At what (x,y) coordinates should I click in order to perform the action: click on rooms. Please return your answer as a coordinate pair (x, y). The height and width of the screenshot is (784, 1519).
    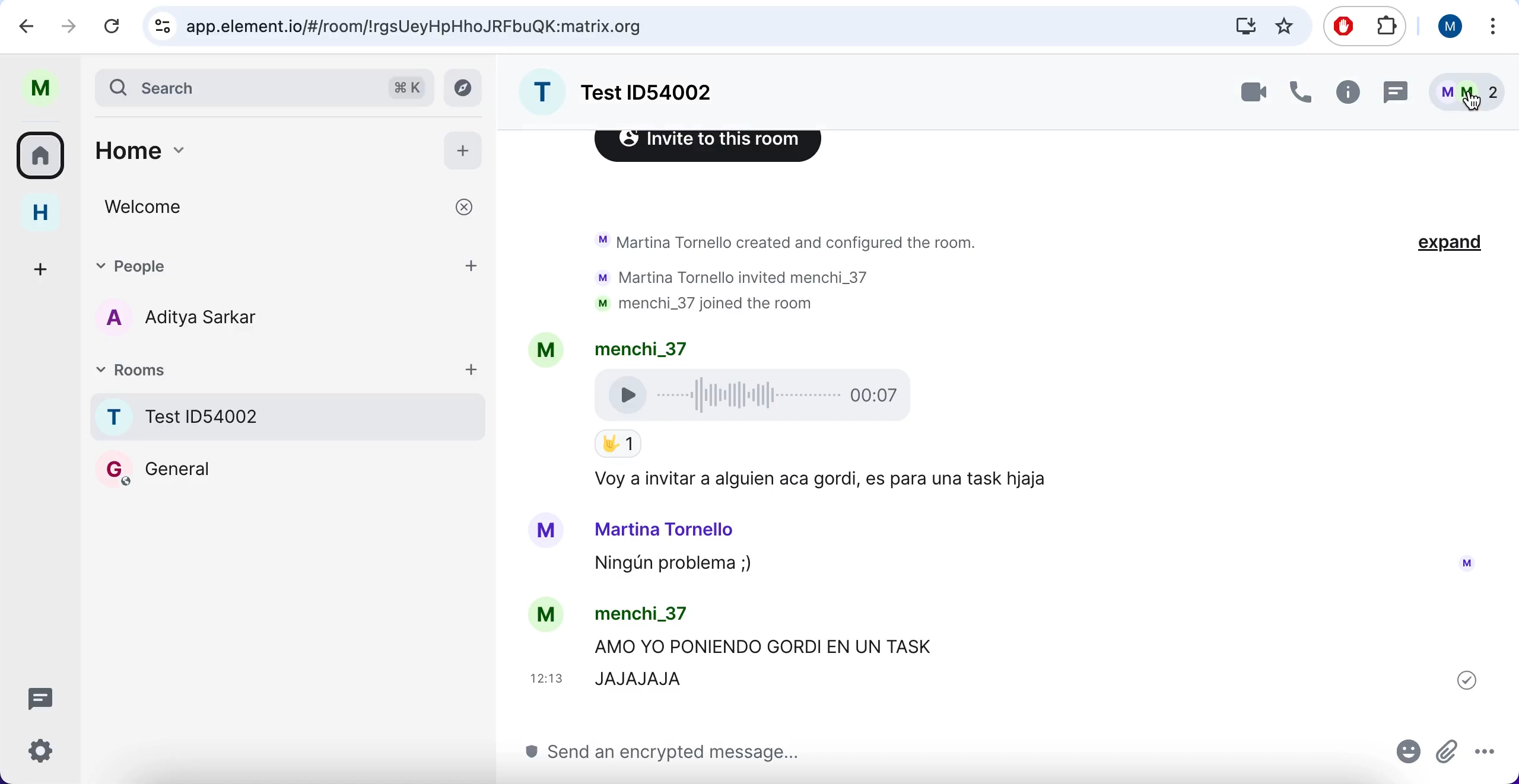
    Looking at the image, I should click on (267, 368).